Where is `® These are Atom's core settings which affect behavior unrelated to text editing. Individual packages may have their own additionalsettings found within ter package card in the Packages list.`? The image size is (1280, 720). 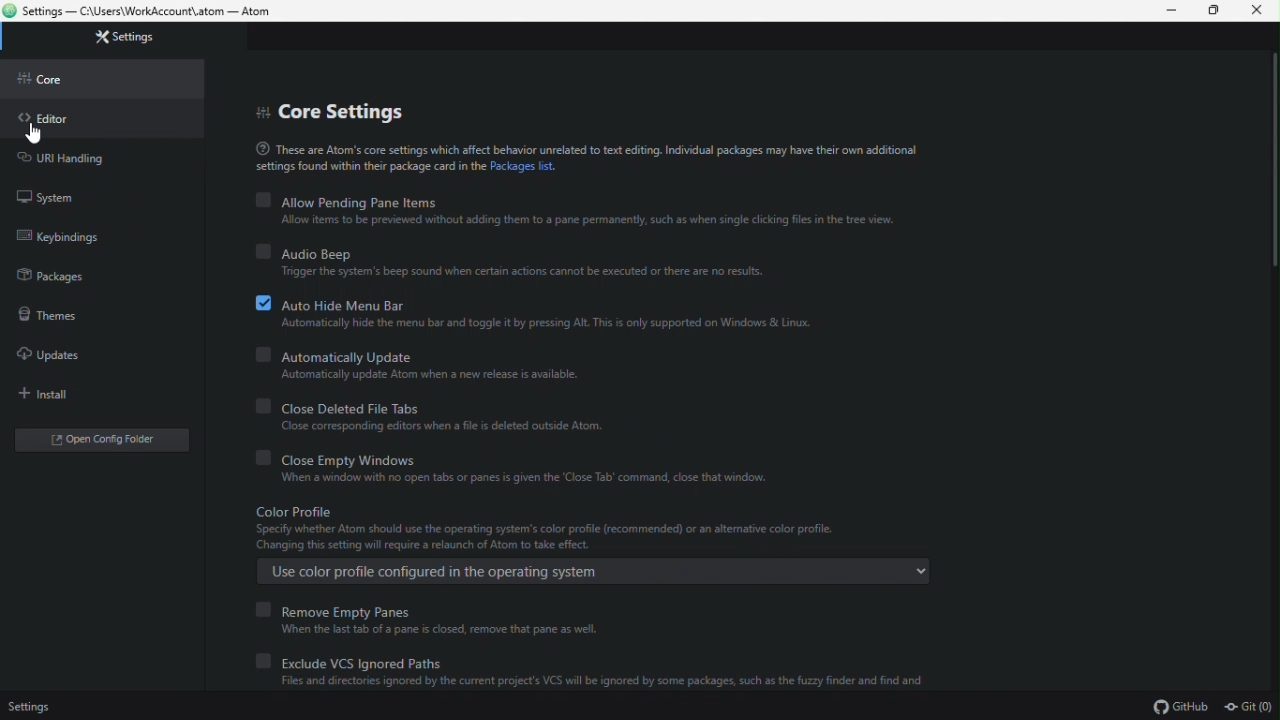 ® These are Atom's core settings which affect behavior unrelated to text editing. Individual packages may have their own additionalsettings found within ter package card in the Packages list. is located at coordinates (608, 155).